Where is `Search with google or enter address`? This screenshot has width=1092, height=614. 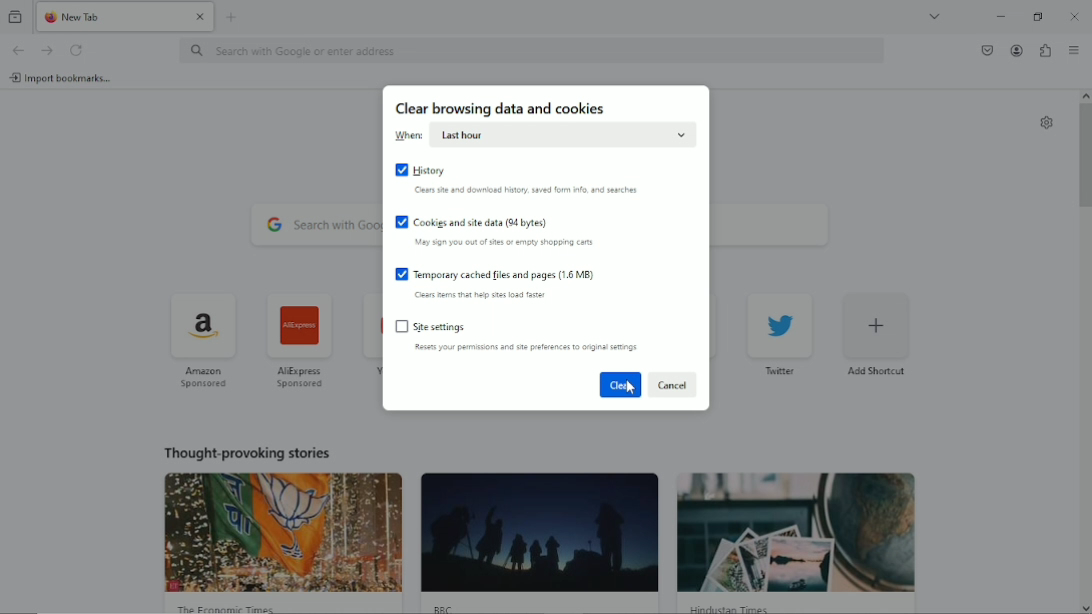
Search with google or enter address is located at coordinates (534, 50).